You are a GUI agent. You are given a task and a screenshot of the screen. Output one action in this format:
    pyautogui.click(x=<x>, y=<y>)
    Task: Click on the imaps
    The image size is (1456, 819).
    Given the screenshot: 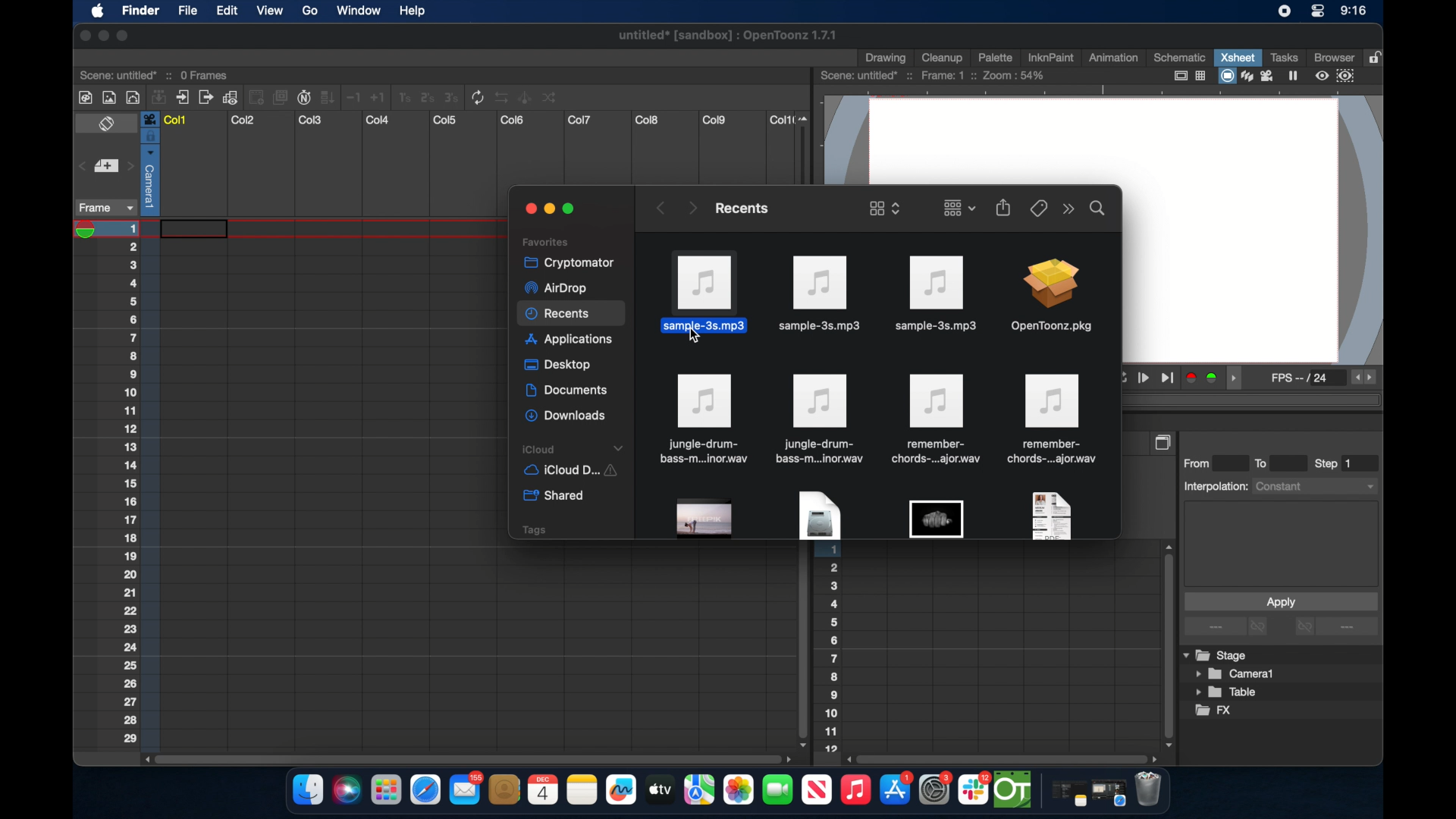 What is the action you would take?
    pyautogui.click(x=699, y=790)
    